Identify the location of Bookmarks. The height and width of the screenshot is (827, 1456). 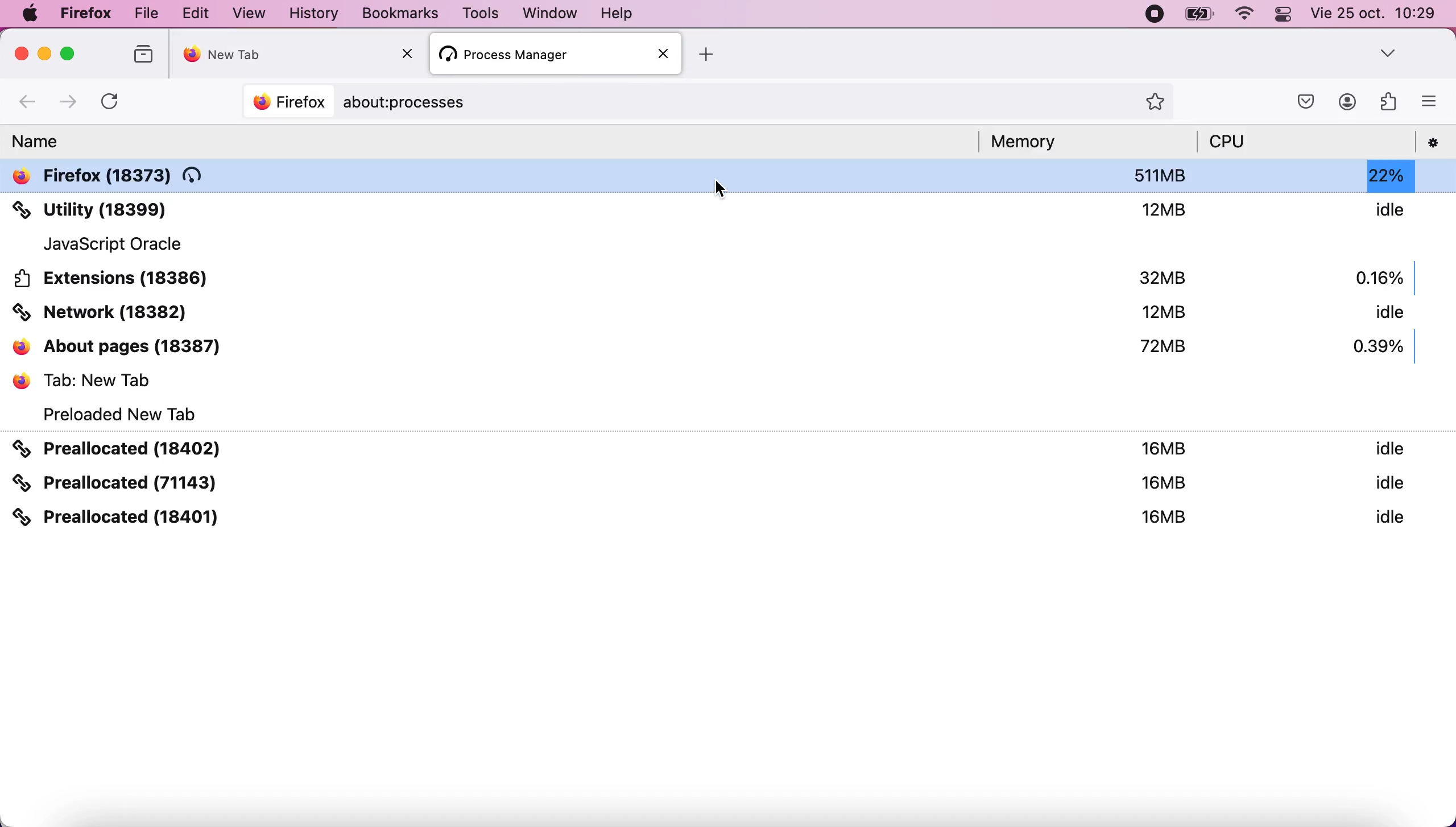
(400, 13).